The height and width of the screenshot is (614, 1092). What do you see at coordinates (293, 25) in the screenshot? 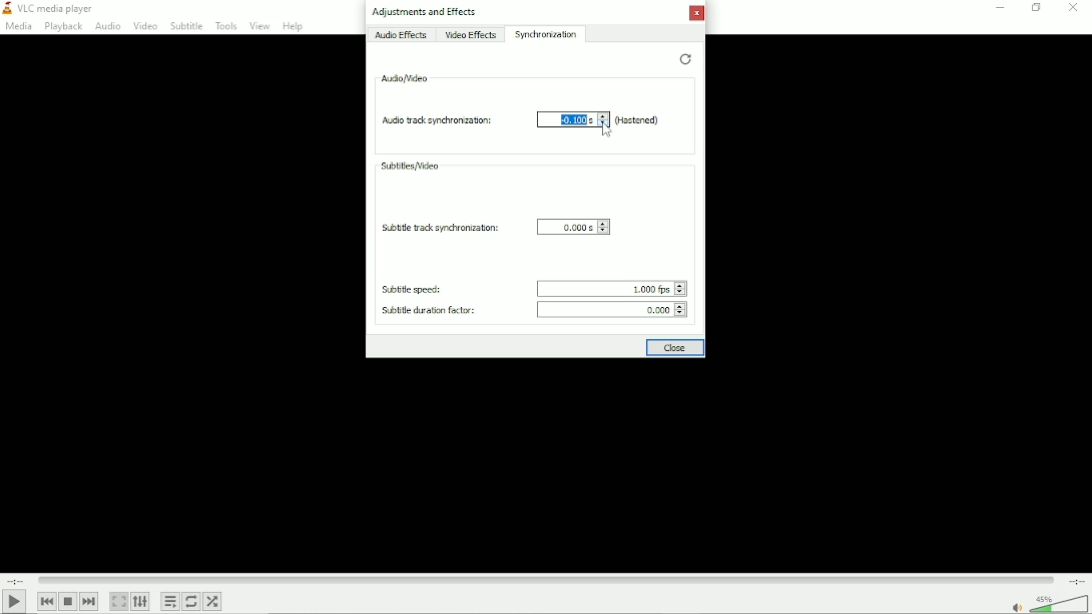
I see `Help` at bounding box center [293, 25].